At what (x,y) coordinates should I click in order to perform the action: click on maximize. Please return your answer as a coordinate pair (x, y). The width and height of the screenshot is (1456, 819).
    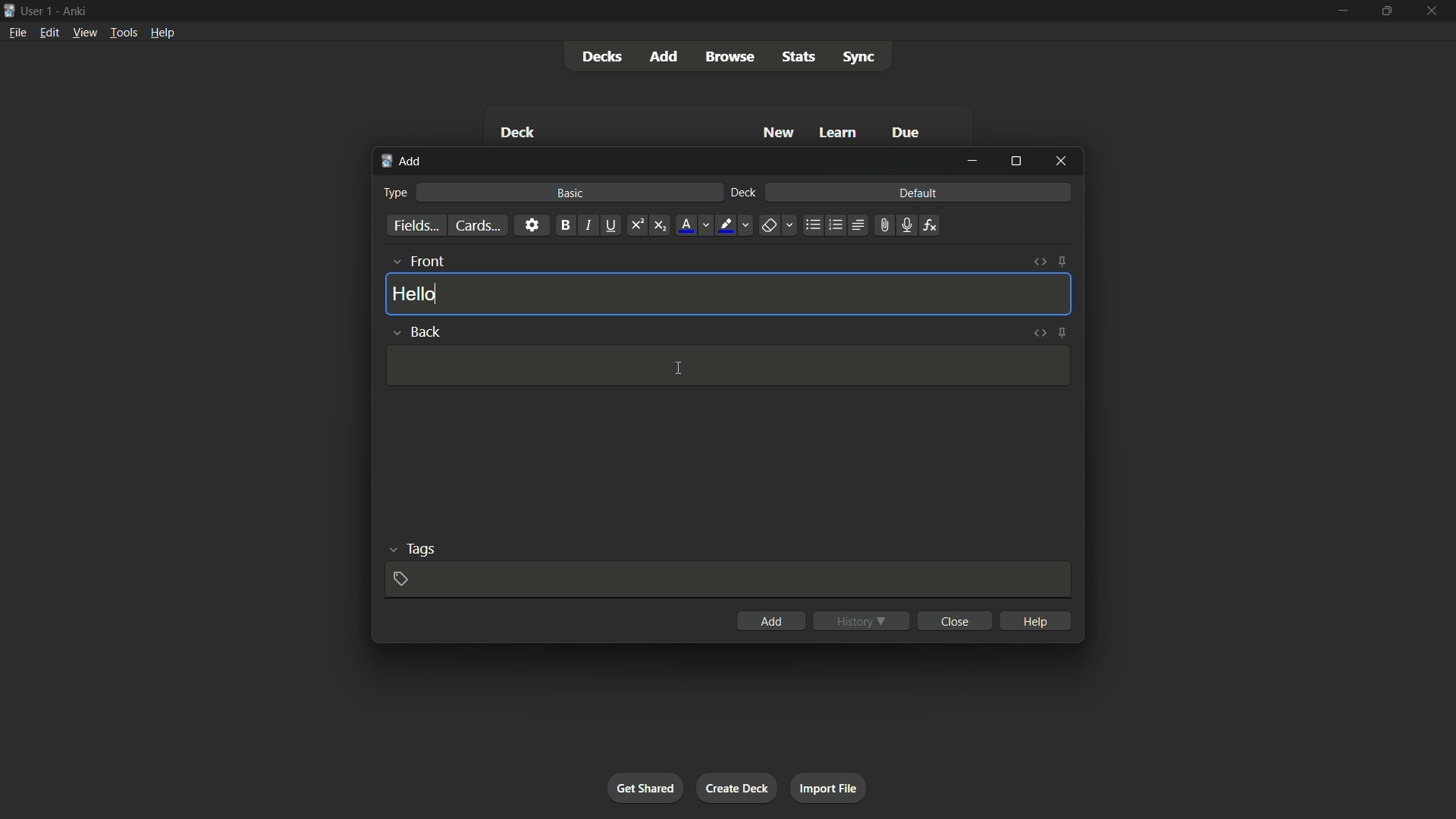
    Looking at the image, I should click on (1389, 11).